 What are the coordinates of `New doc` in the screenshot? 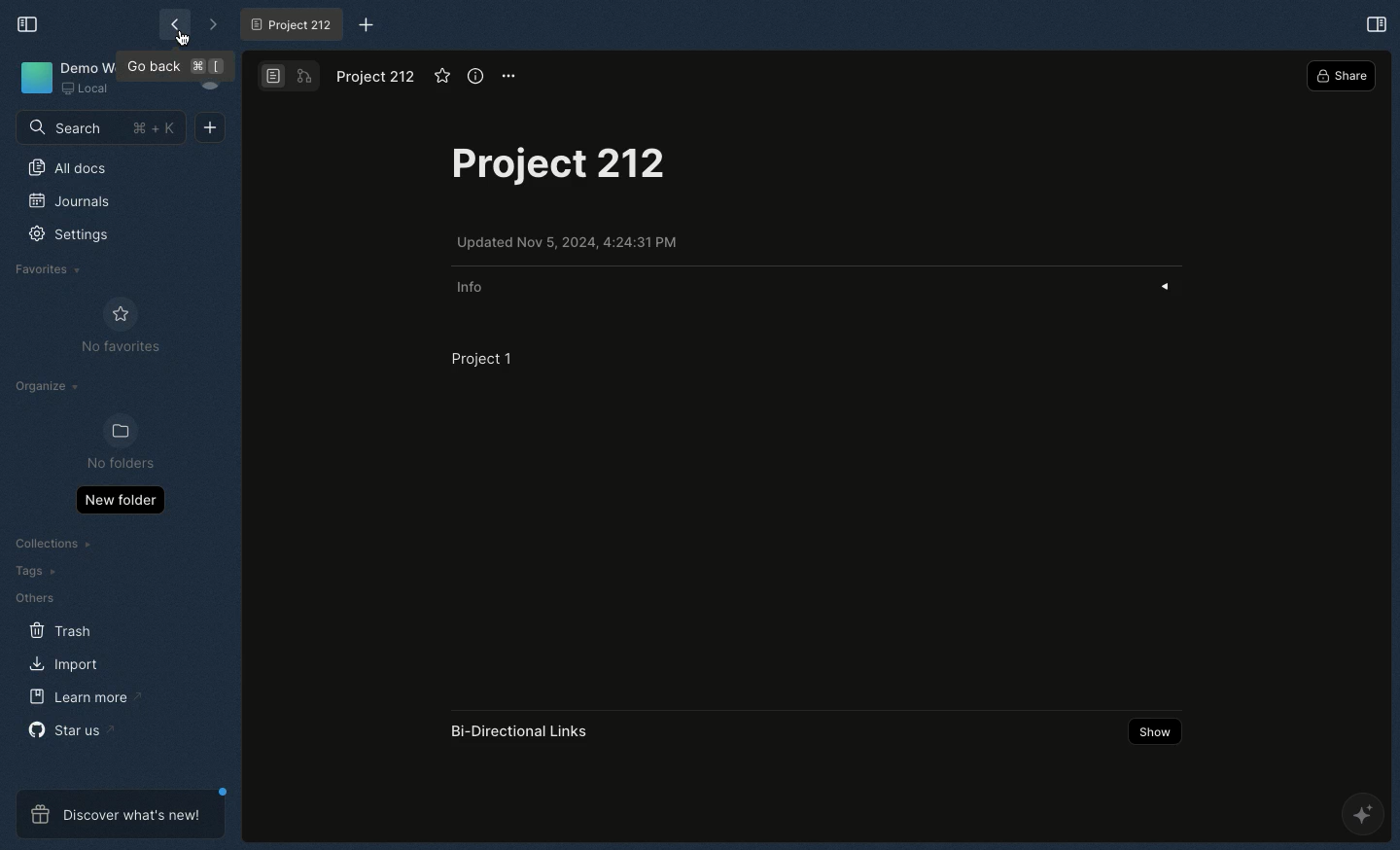 It's located at (214, 130).